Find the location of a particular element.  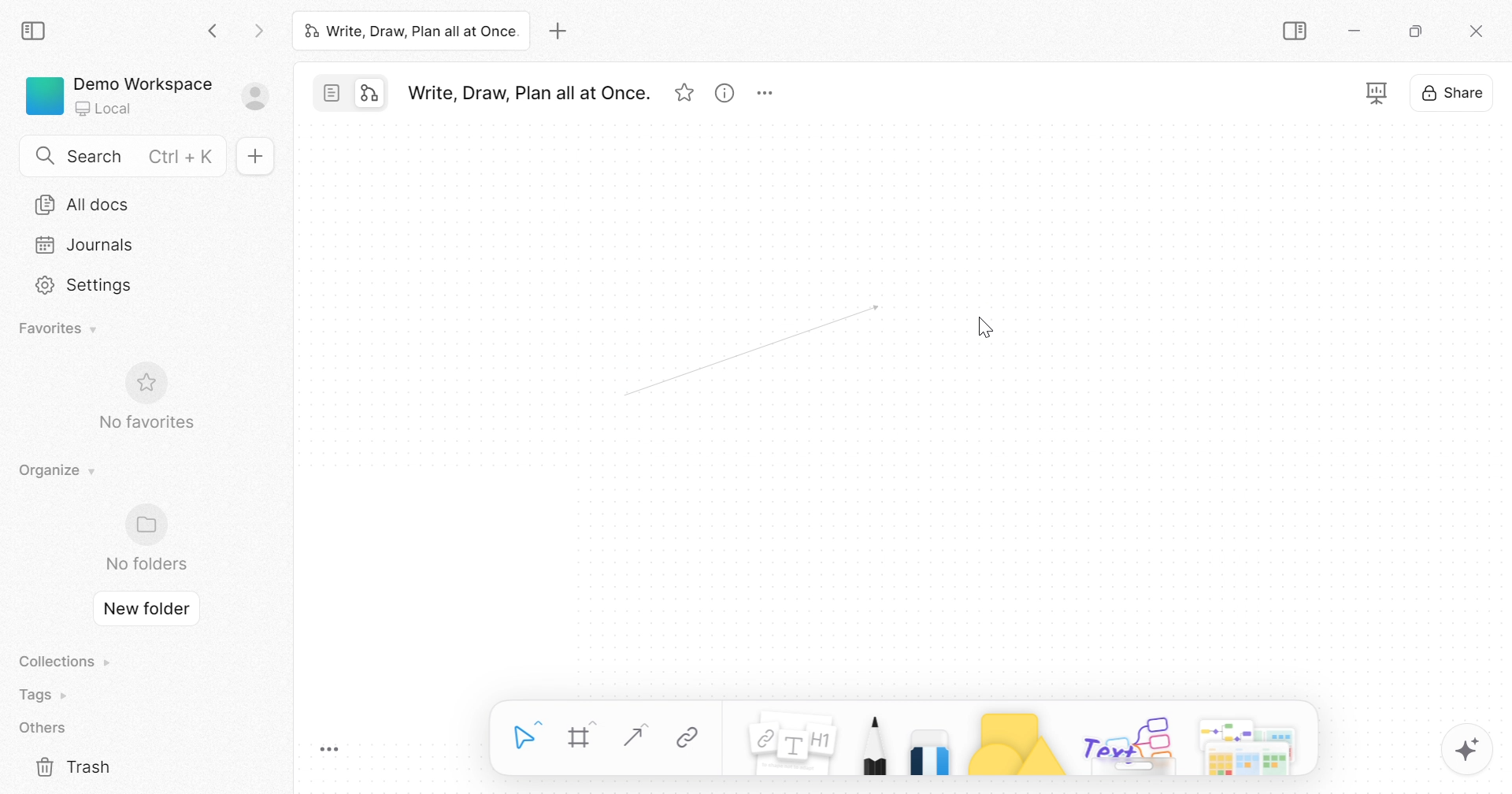

Forward is located at coordinates (258, 33).